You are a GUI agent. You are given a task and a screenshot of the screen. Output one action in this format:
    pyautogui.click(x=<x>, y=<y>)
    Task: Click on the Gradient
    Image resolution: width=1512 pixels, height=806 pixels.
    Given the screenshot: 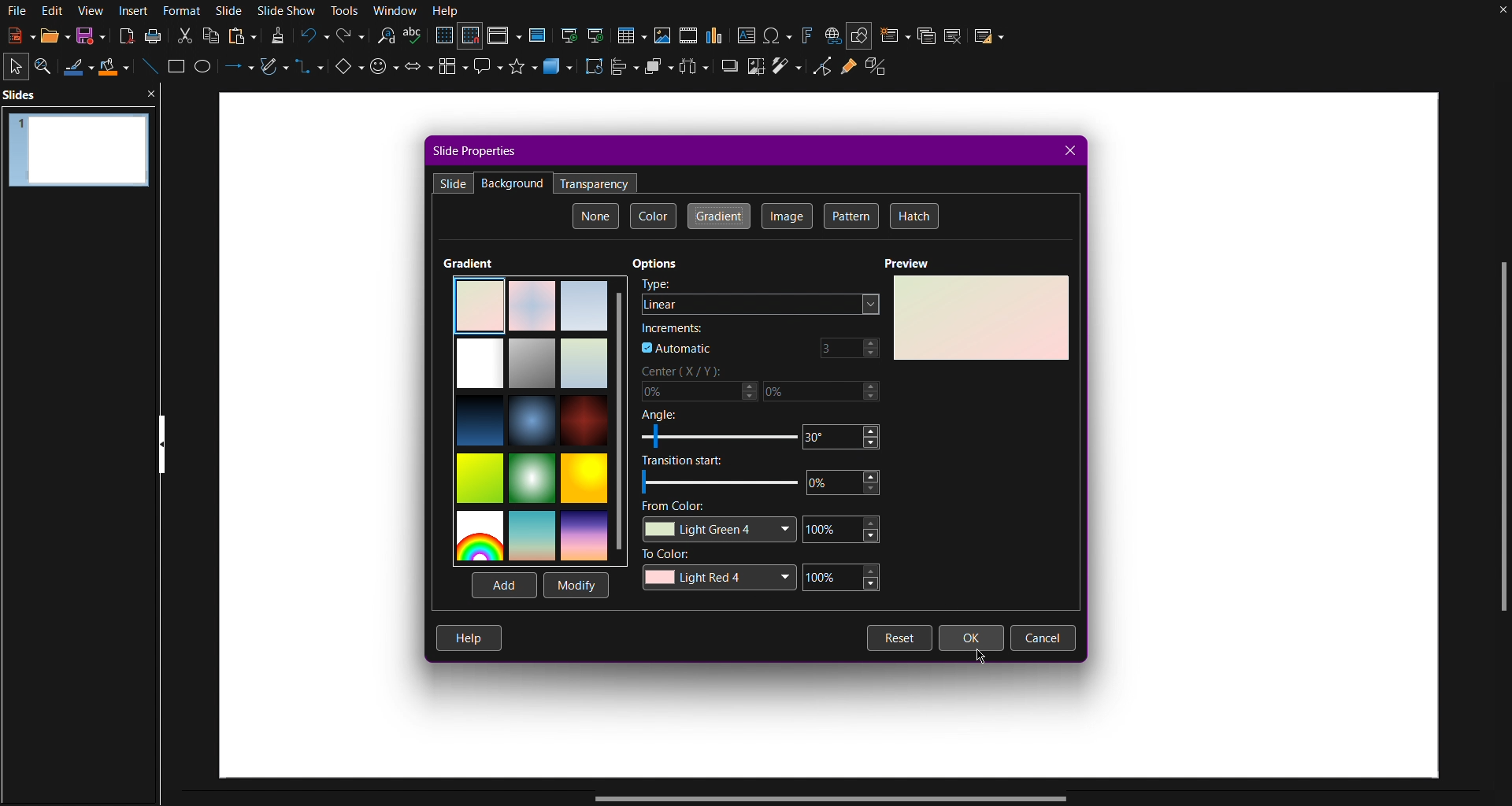 What is the action you would take?
    pyautogui.click(x=469, y=262)
    